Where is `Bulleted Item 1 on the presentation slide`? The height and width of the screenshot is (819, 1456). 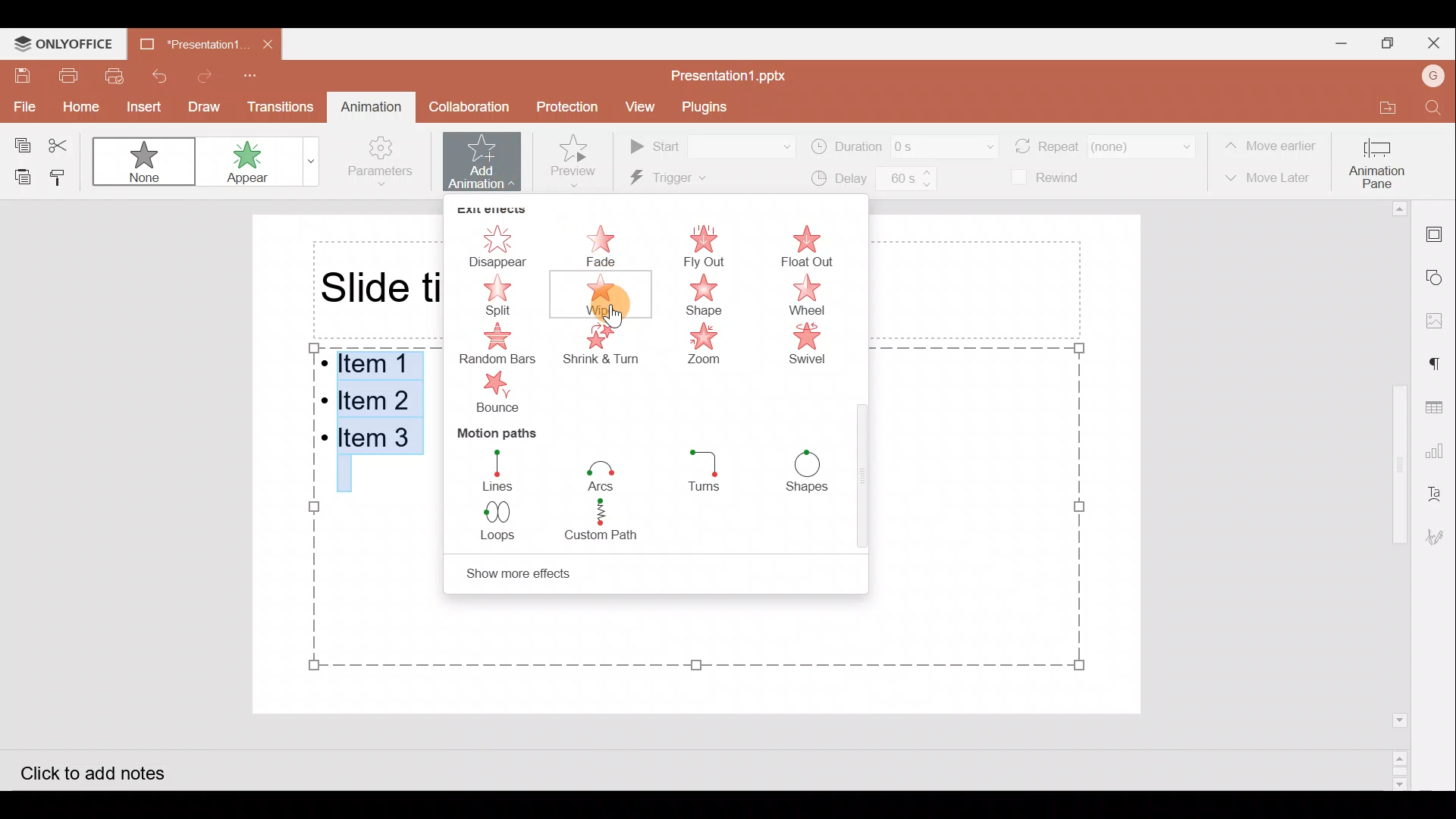 Bulleted Item 1 on the presentation slide is located at coordinates (372, 365).